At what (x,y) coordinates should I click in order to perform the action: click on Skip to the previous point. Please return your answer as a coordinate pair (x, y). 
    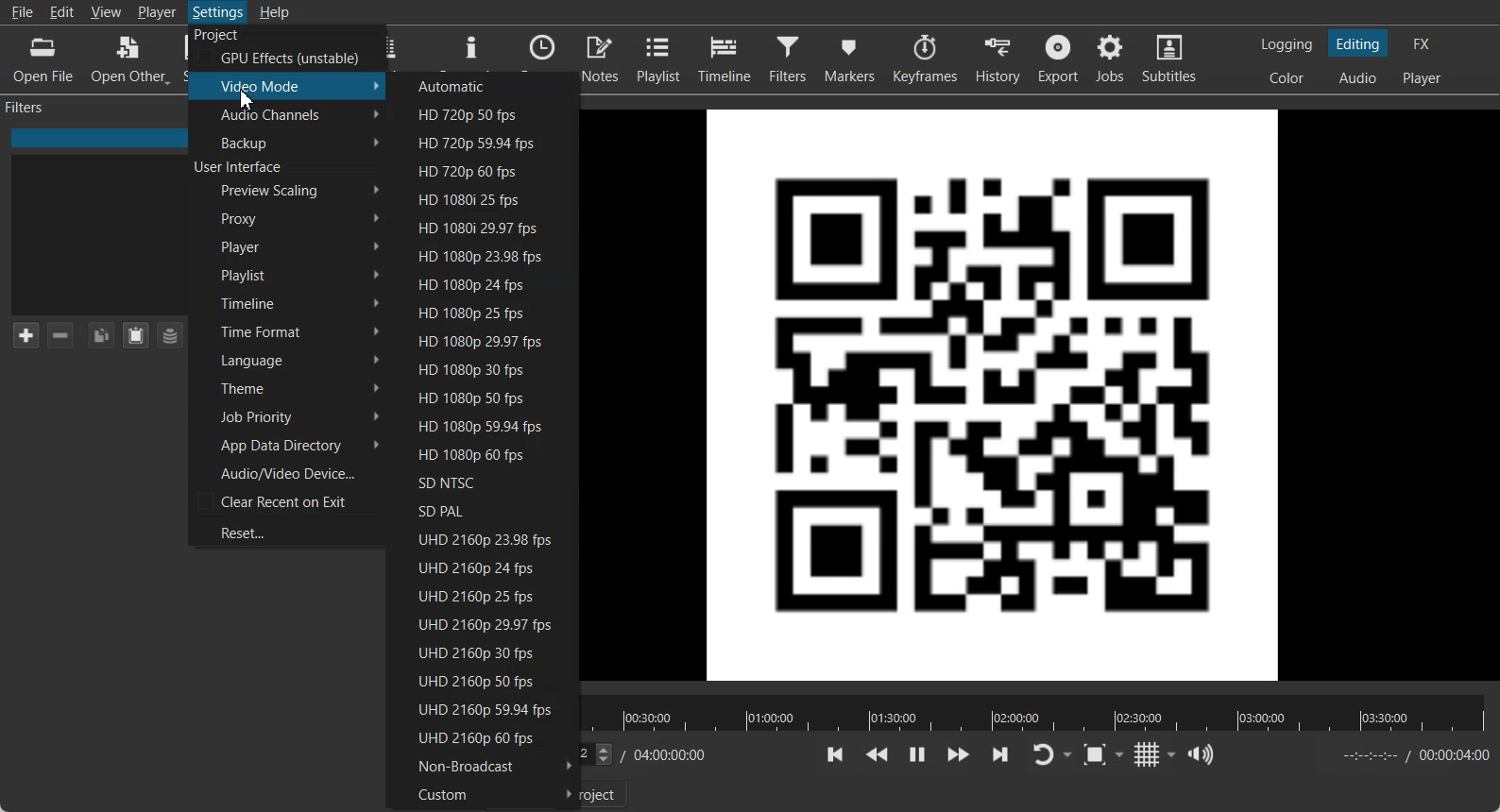
    Looking at the image, I should click on (836, 754).